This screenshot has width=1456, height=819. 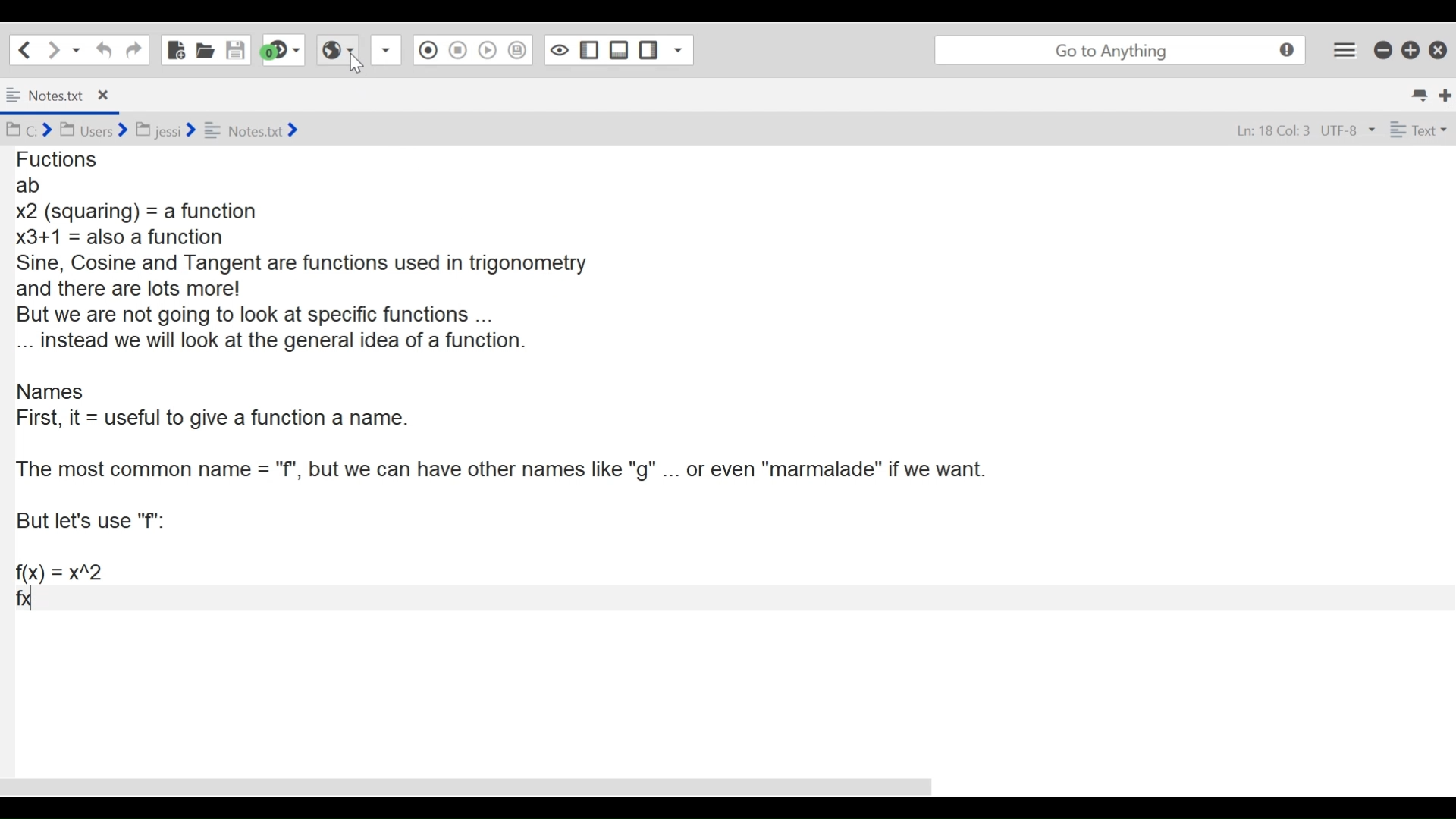 What do you see at coordinates (679, 50) in the screenshot?
I see `Show specific Side Pane` at bounding box center [679, 50].